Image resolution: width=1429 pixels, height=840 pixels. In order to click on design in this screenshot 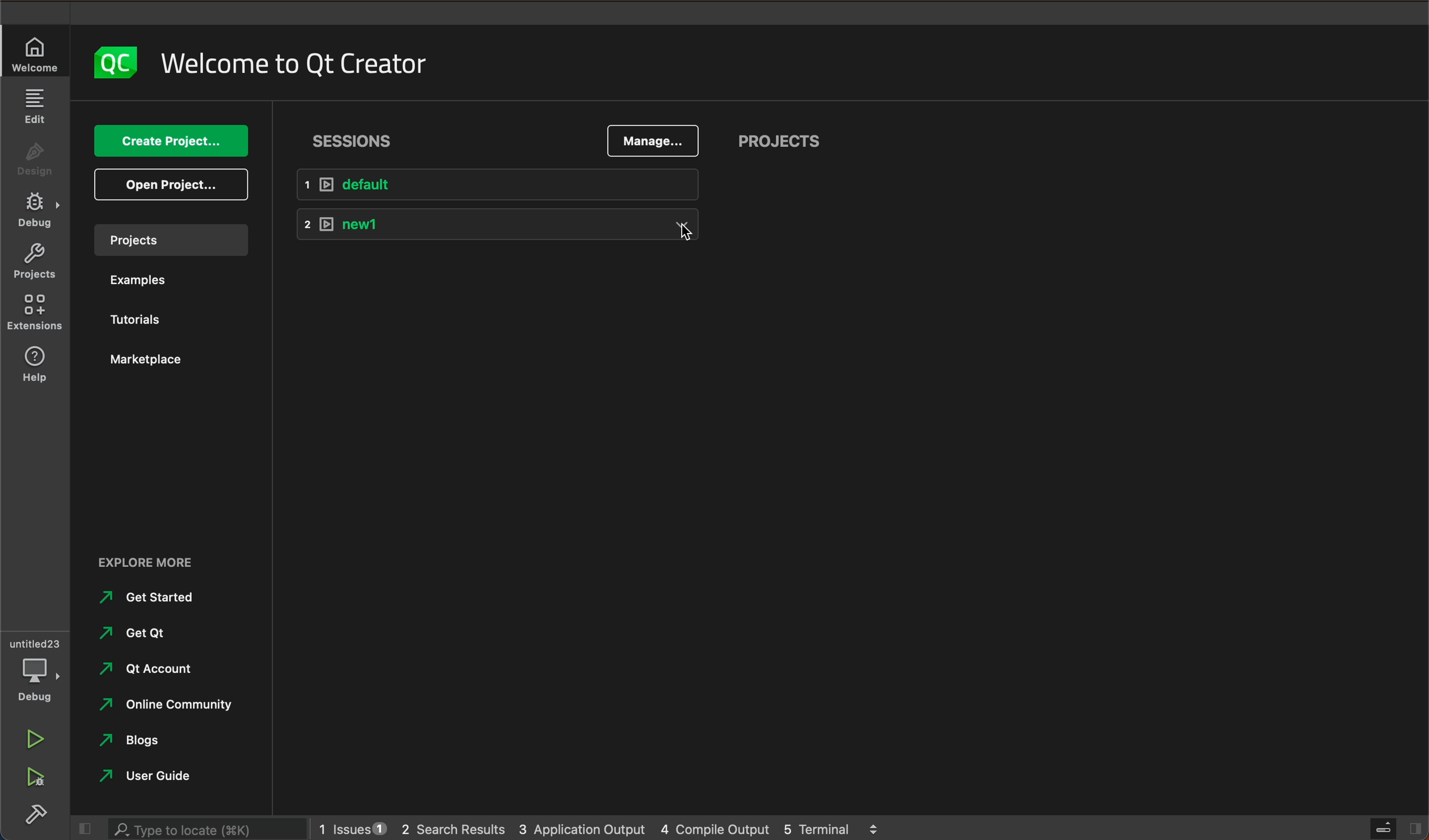, I will do `click(35, 163)`.